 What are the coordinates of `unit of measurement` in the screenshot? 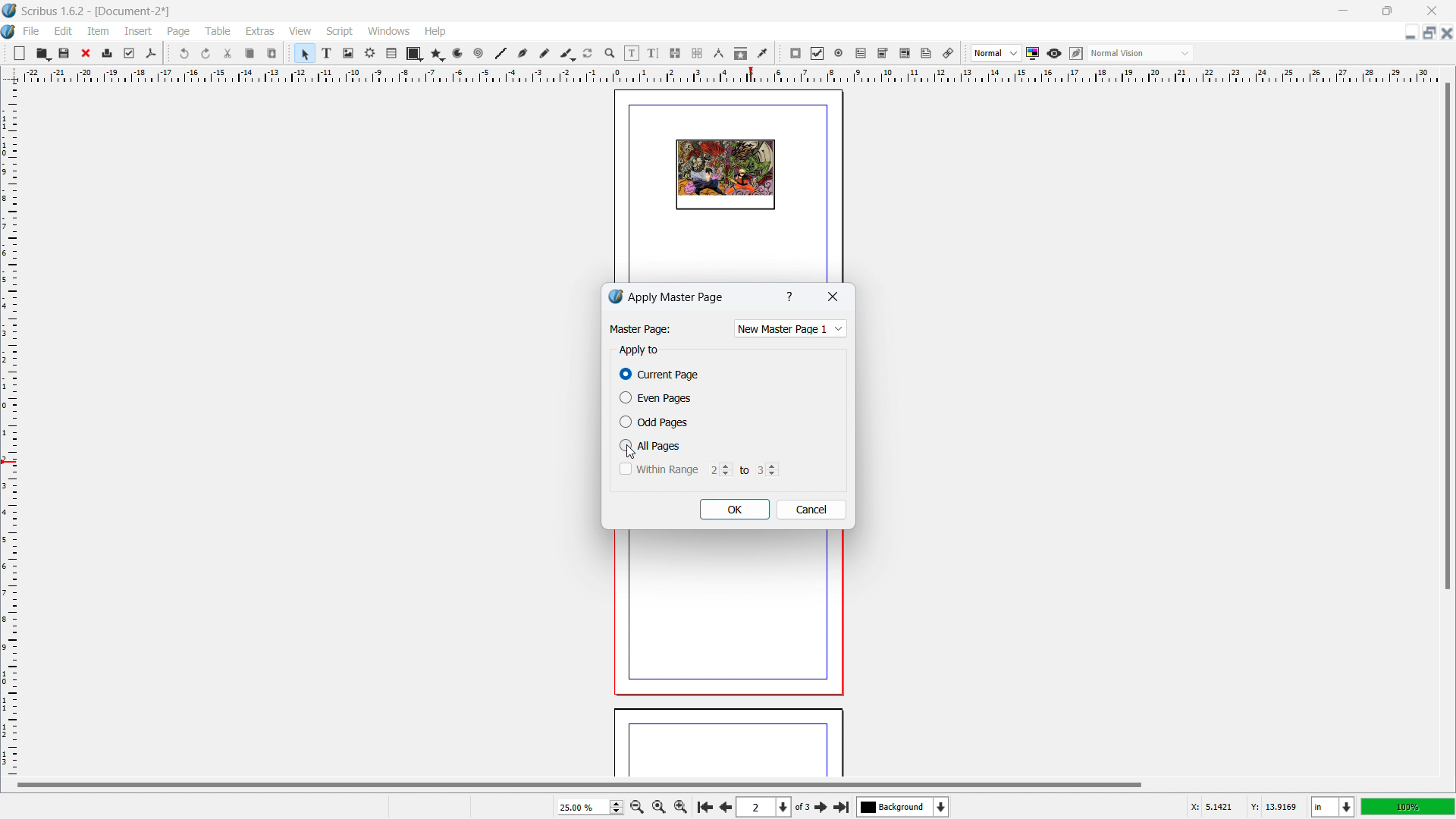 It's located at (1333, 808).